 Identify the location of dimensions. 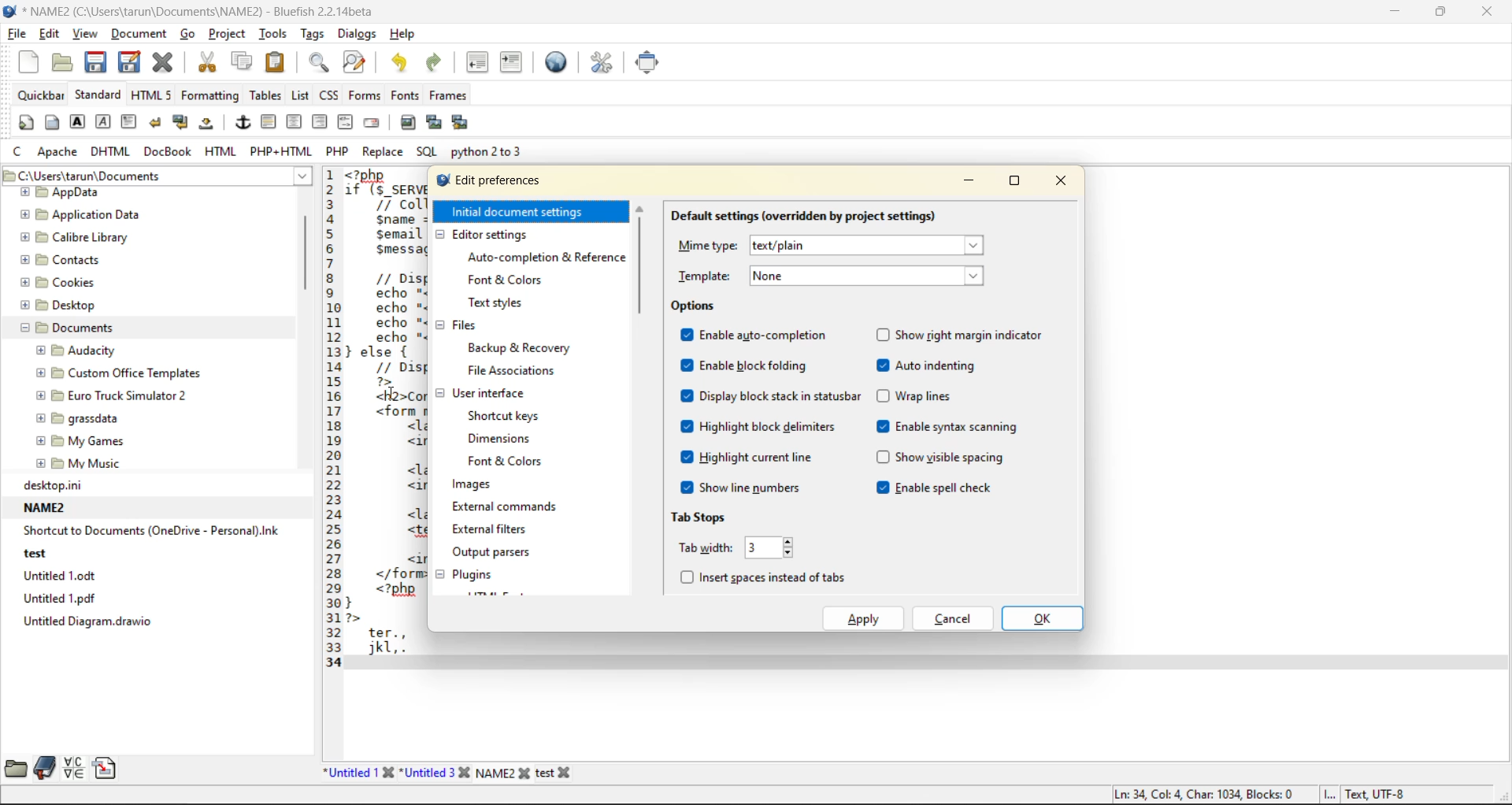
(508, 440).